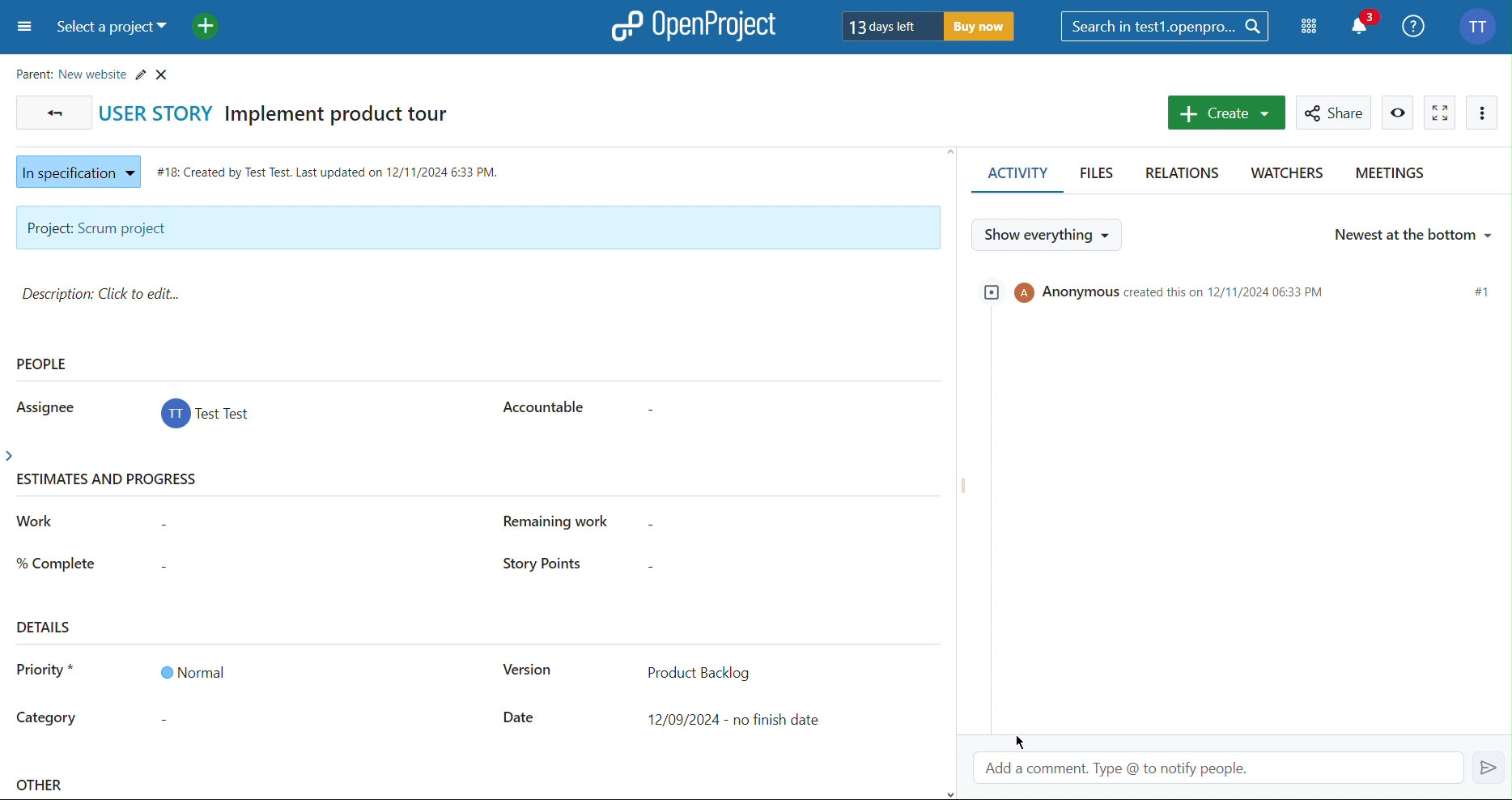 The height and width of the screenshot is (800, 1512). Describe the element at coordinates (1483, 113) in the screenshot. I see `More` at that location.